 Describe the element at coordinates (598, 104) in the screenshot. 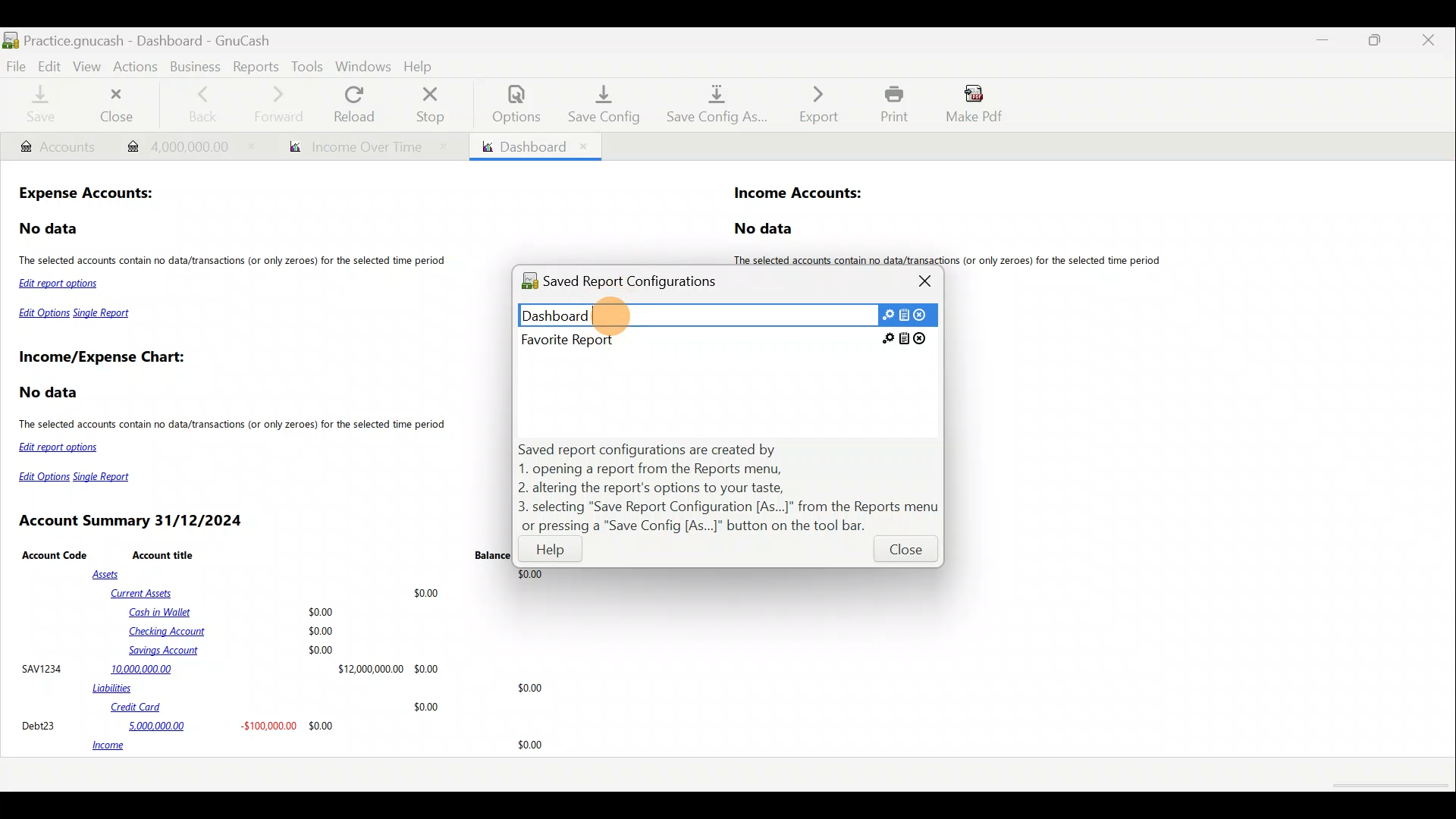

I see `Save config` at that location.